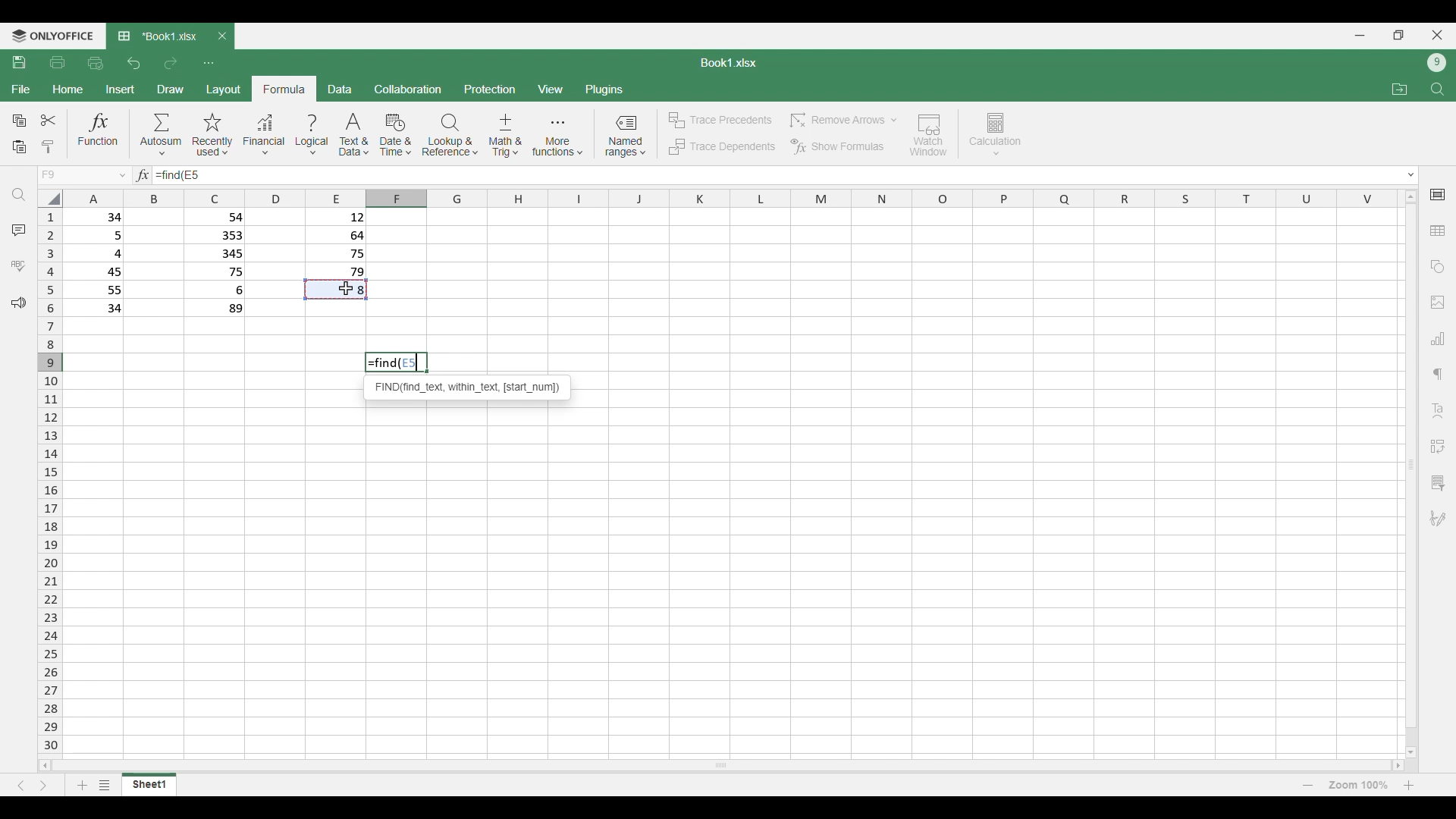 This screenshot has width=1456, height=819. What do you see at coordinates (719, 121) in the screenshot?
I see `Trace precedents` at bounding box center [719, 121].